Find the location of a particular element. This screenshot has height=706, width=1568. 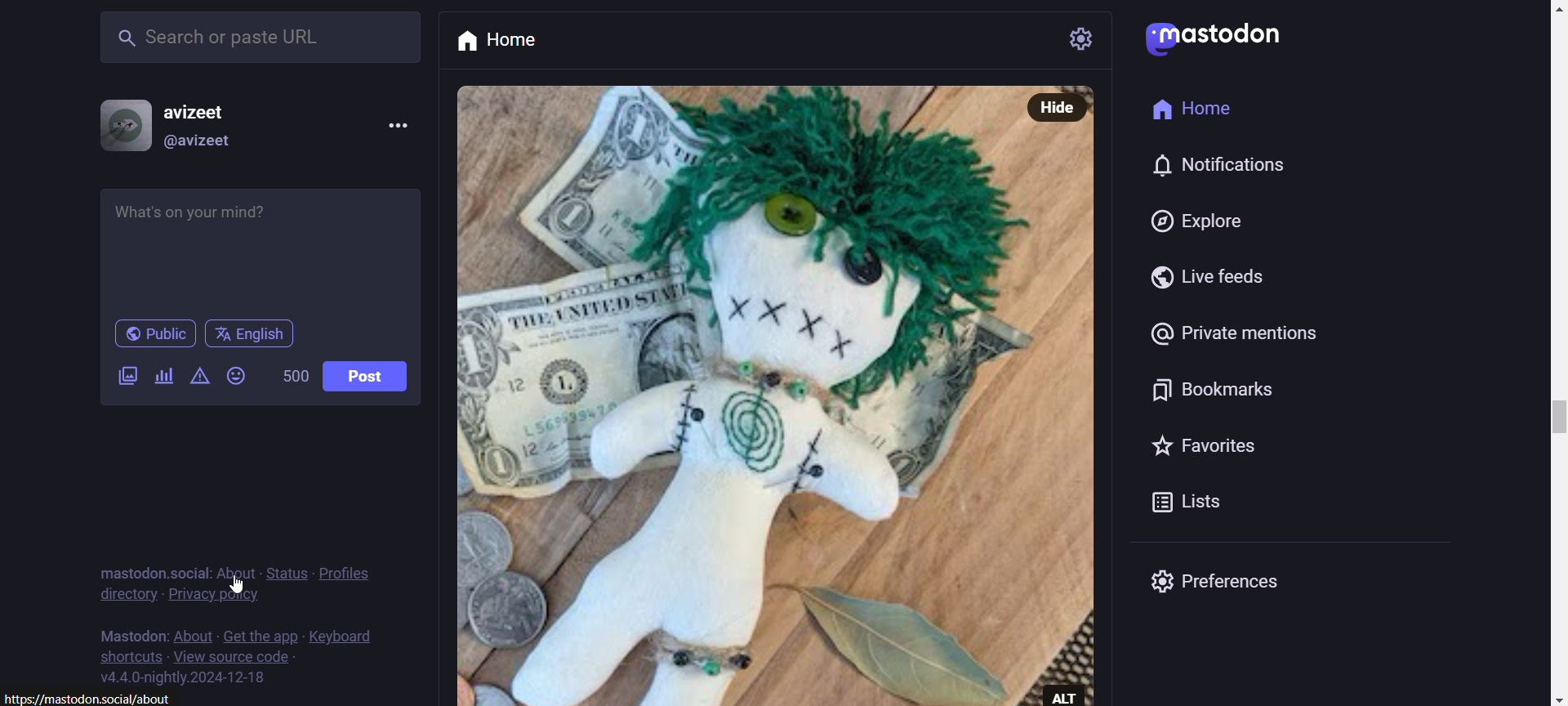

text is located at coordinates (149, 564).